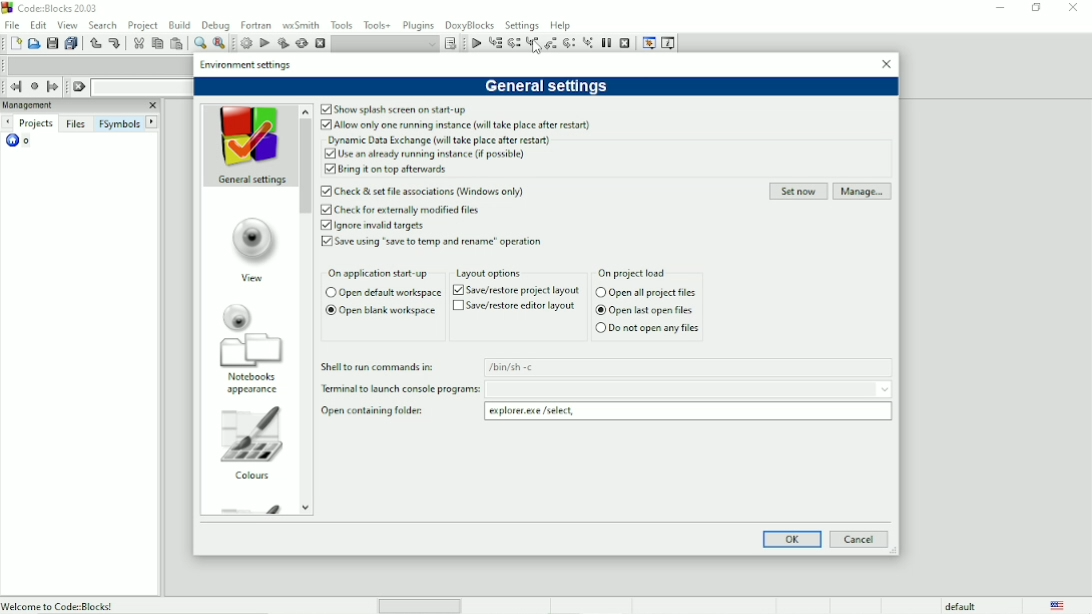 This screenshot has height=614, width=1092. Describe the element at coordinates (70, 106) in the screenshot. I see `Management` at that location.